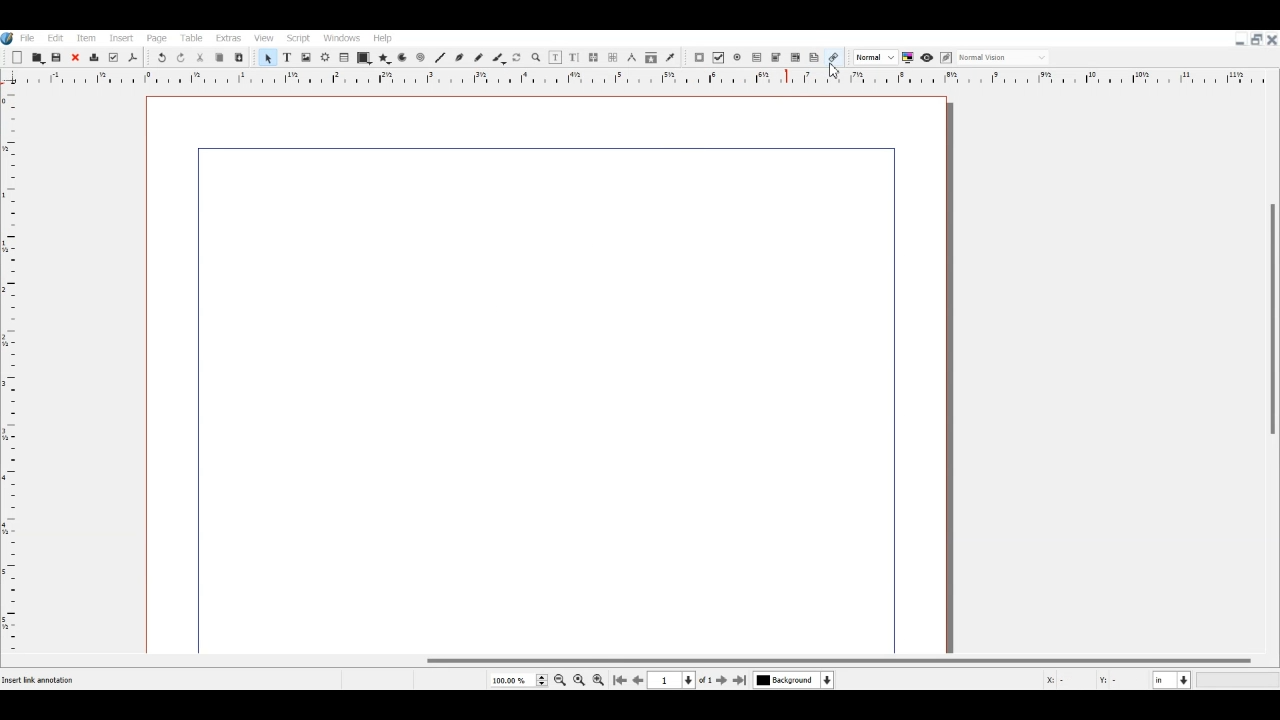 The image size is (1280, 720). Describe the element at coordinates (670, 57) in the screenshot. I see `Eye dropper` at that location.